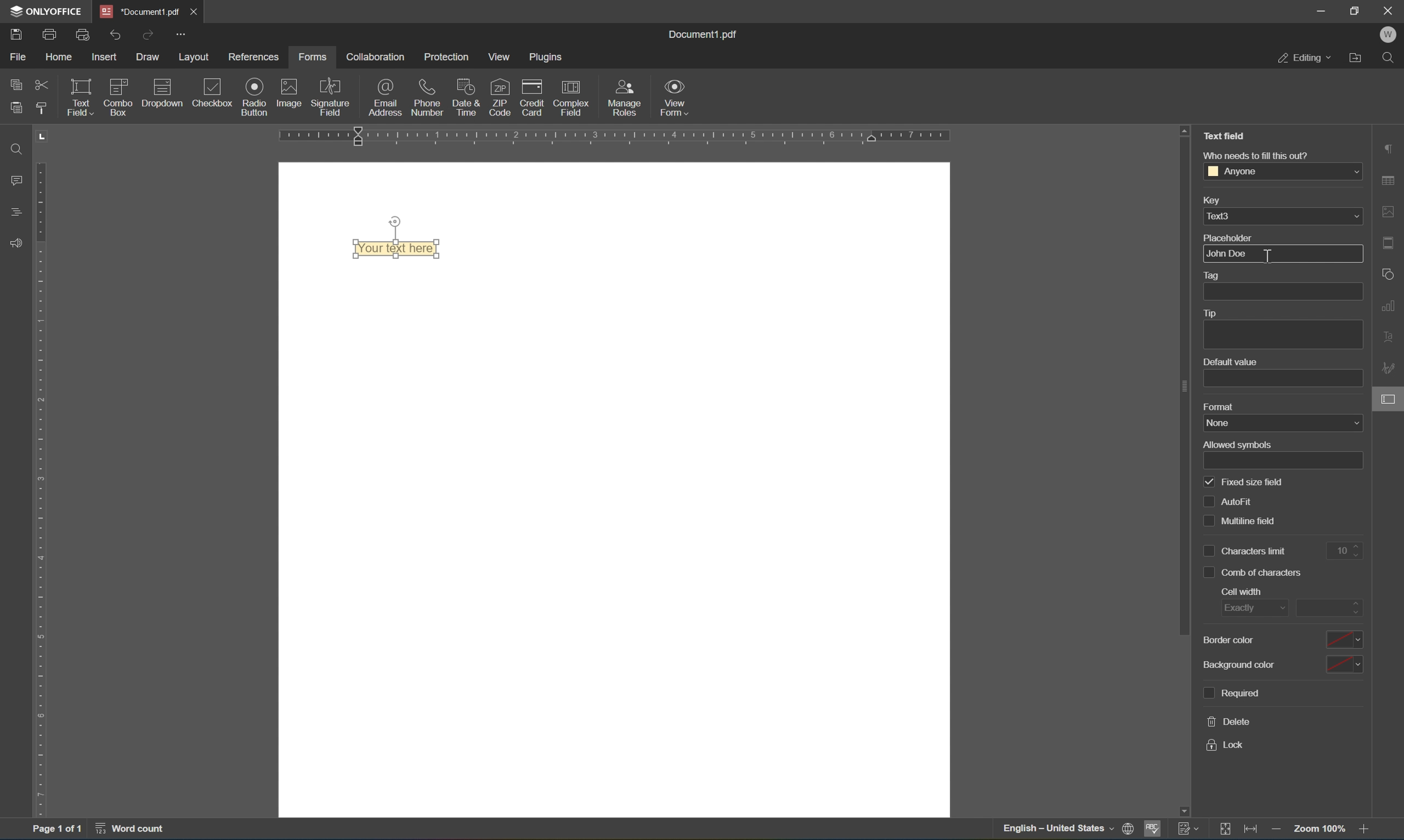 This screenshot has height=840, width=1404. What do you see at coordinates (546, 57) in the screenshot?
I see `plugins` at bounding box center [546, 57].